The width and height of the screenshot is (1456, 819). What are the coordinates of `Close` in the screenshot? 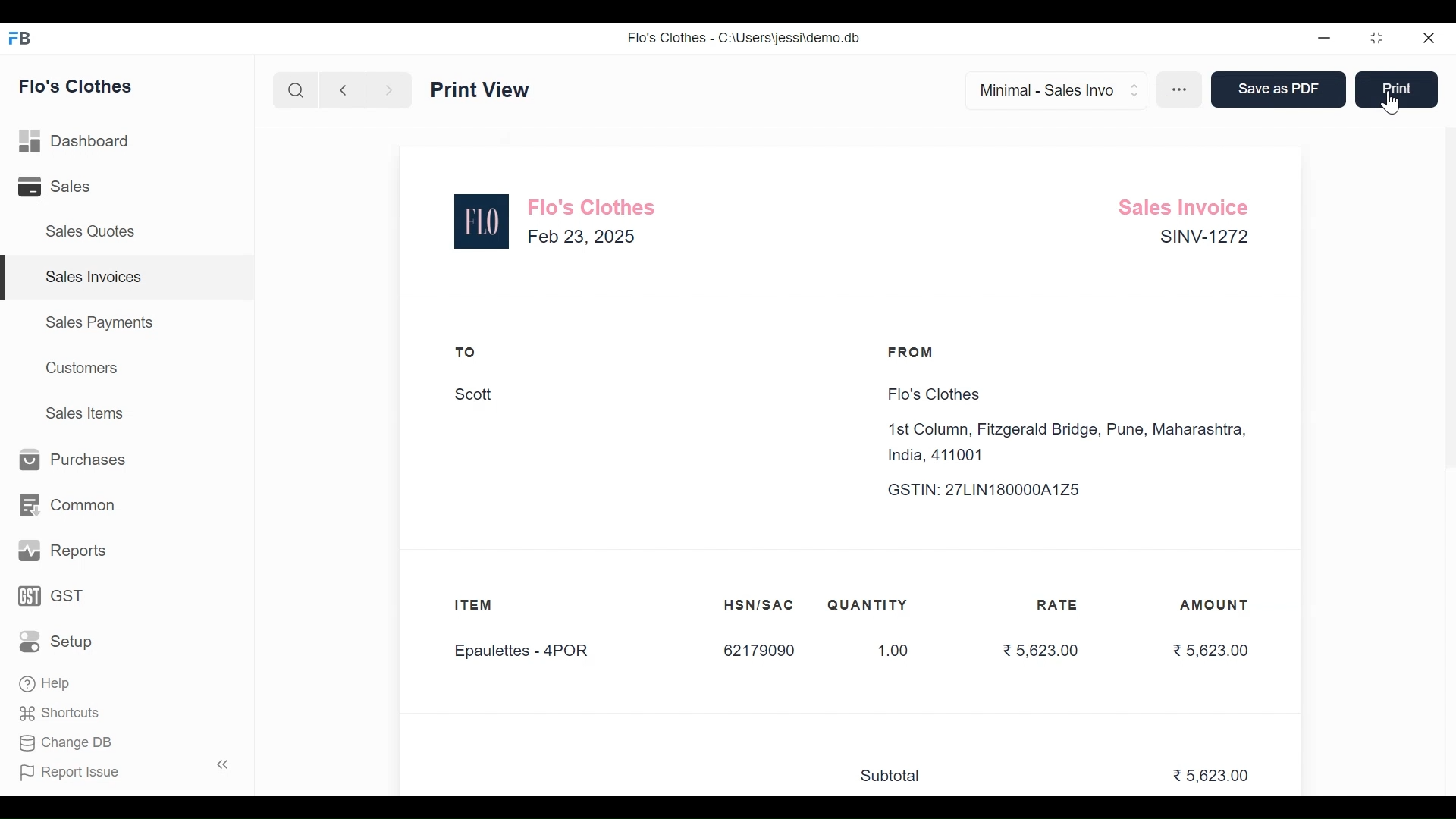 It's located at (1429, 39).